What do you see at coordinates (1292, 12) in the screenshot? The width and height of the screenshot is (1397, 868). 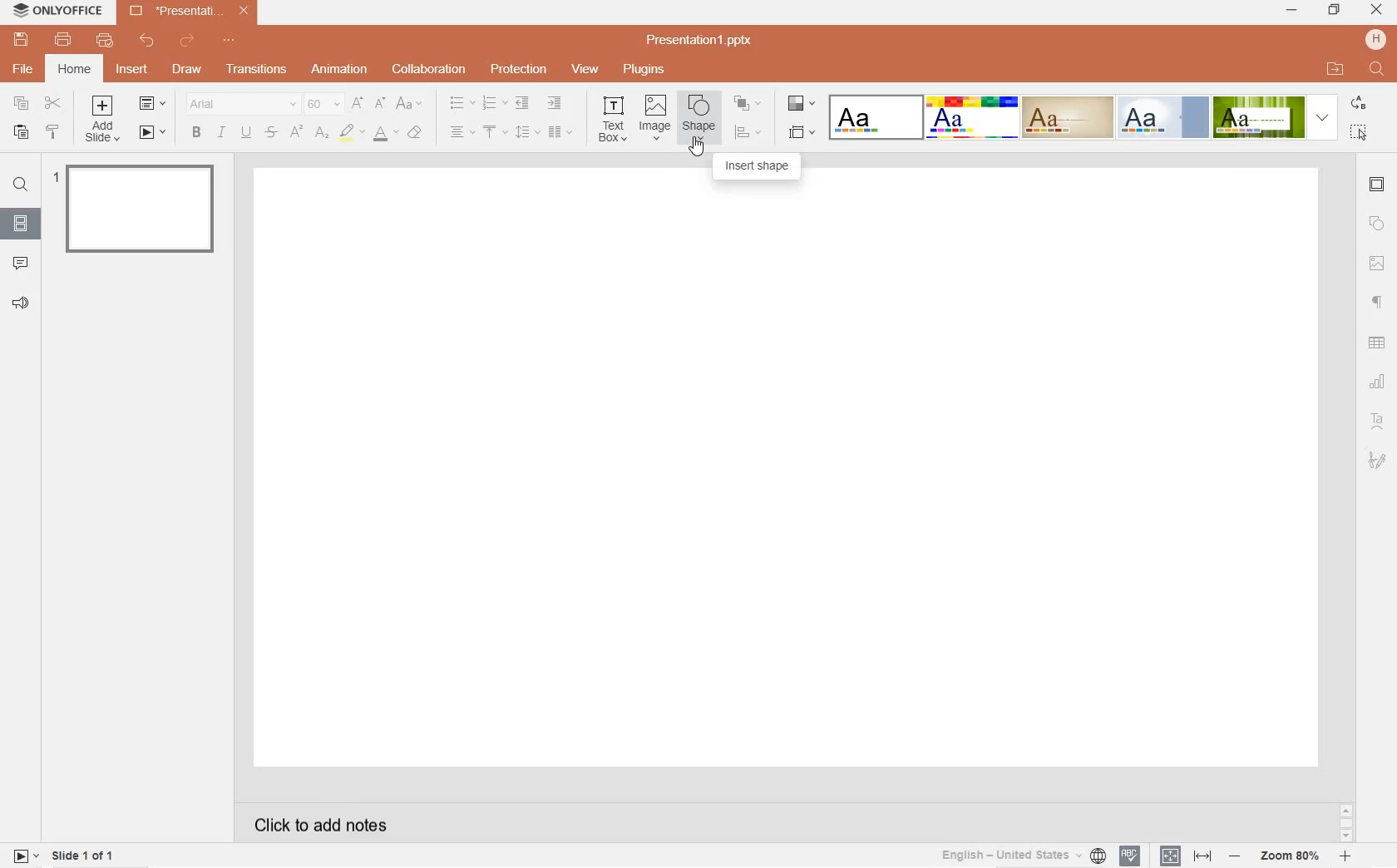 I see `MINIMIZE` at bounding box center [1292, 12].